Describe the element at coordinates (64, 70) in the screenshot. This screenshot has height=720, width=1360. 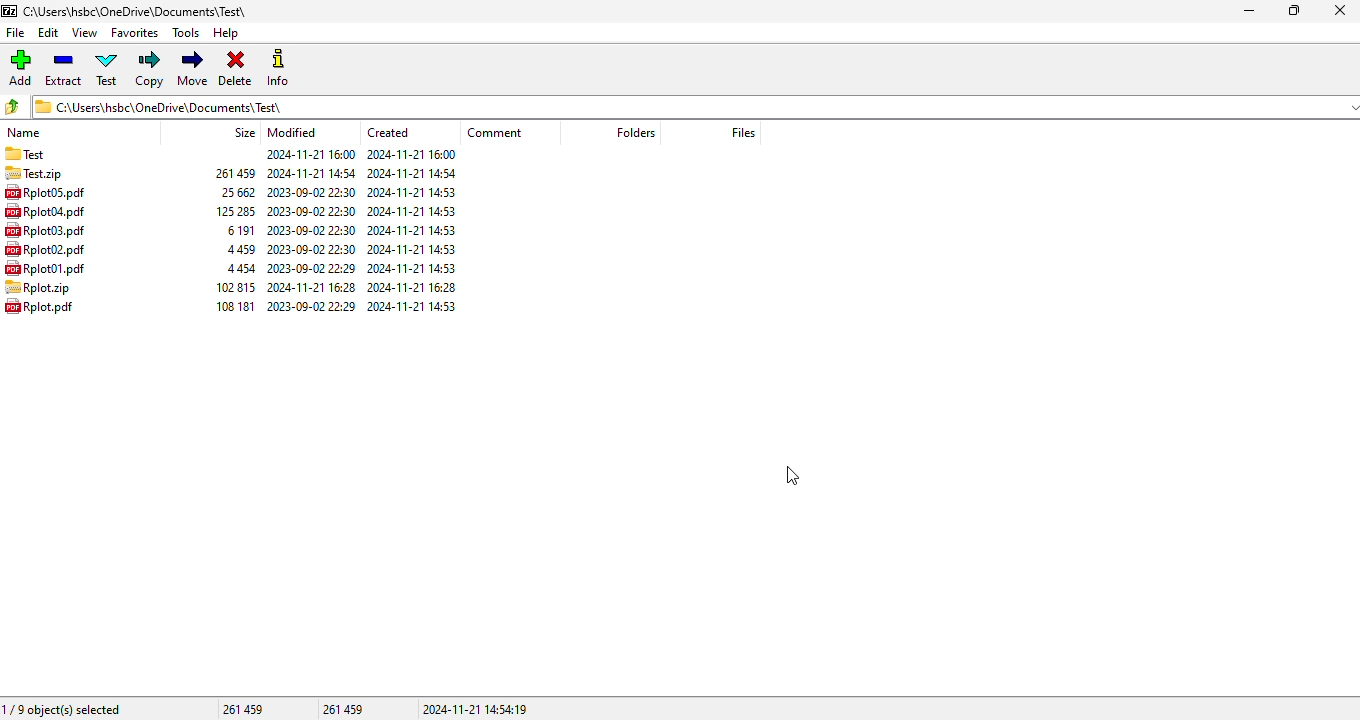
I see `extract` at that location.